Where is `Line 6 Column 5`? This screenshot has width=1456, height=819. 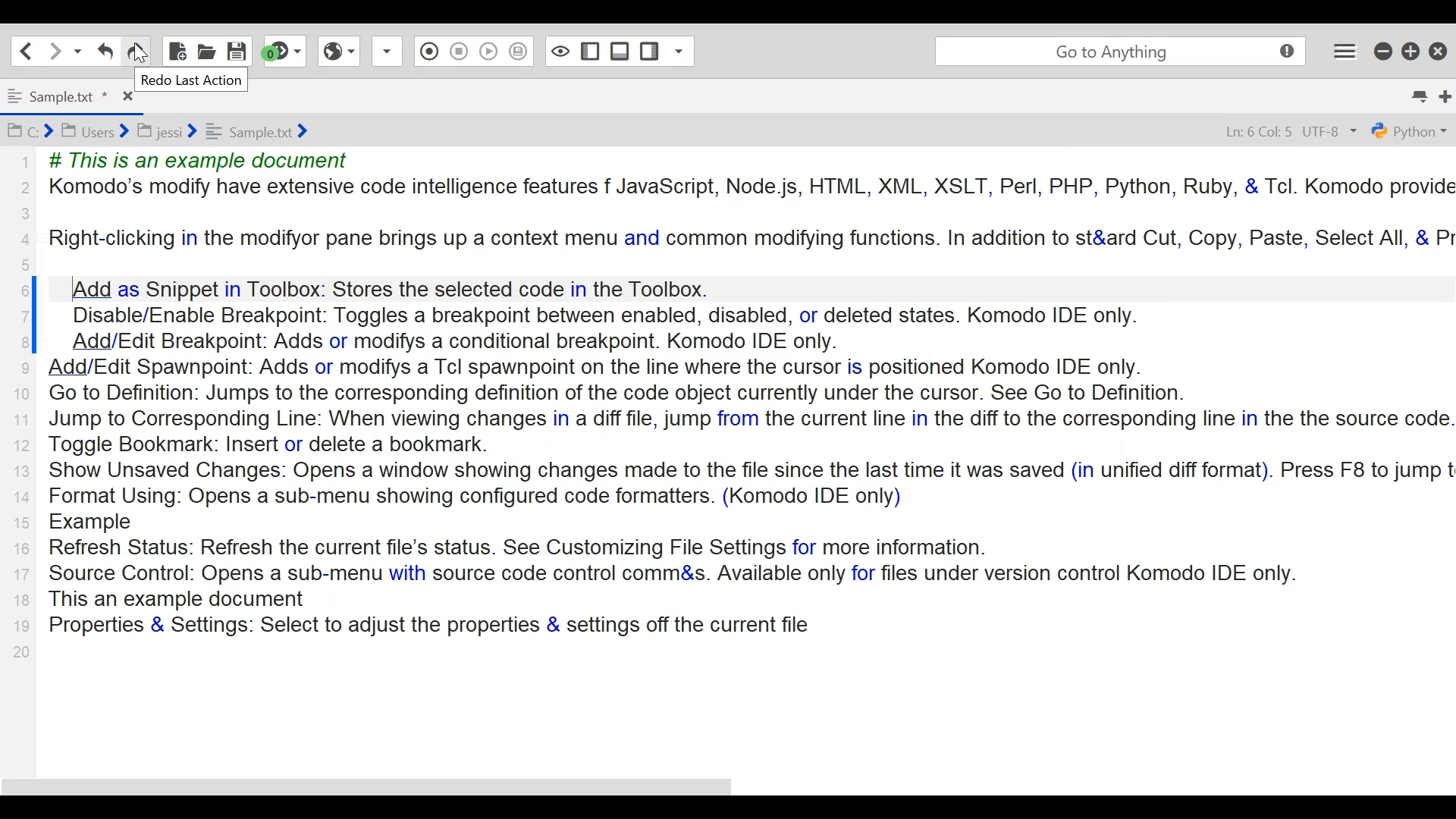 Line 6 Column 5 is located at coordinates (1258, 131).